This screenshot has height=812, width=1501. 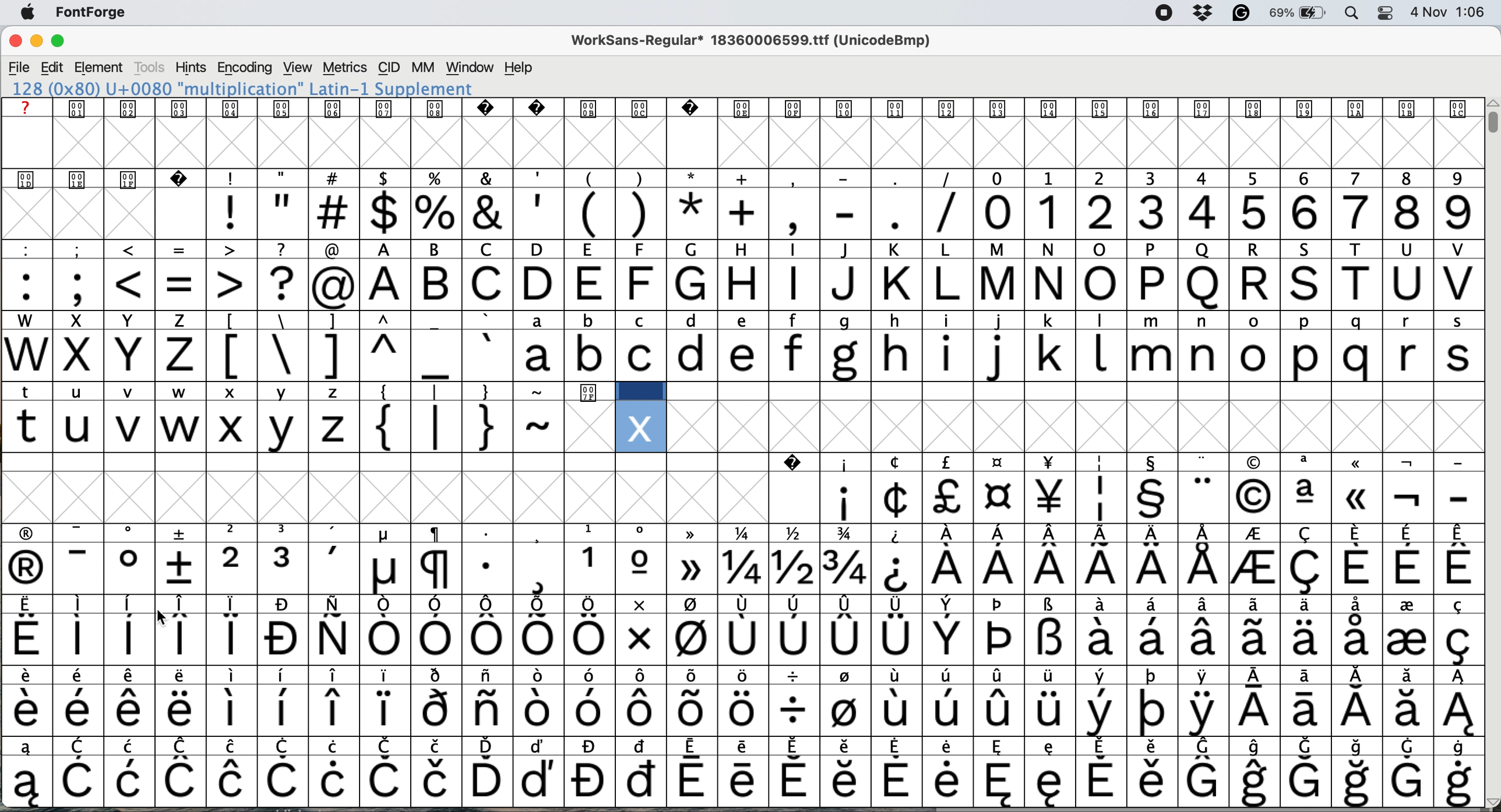 What do you see at coordinates (96, 15) in the screenshot?
I see `fontforge` at bounding box center [96, 15].